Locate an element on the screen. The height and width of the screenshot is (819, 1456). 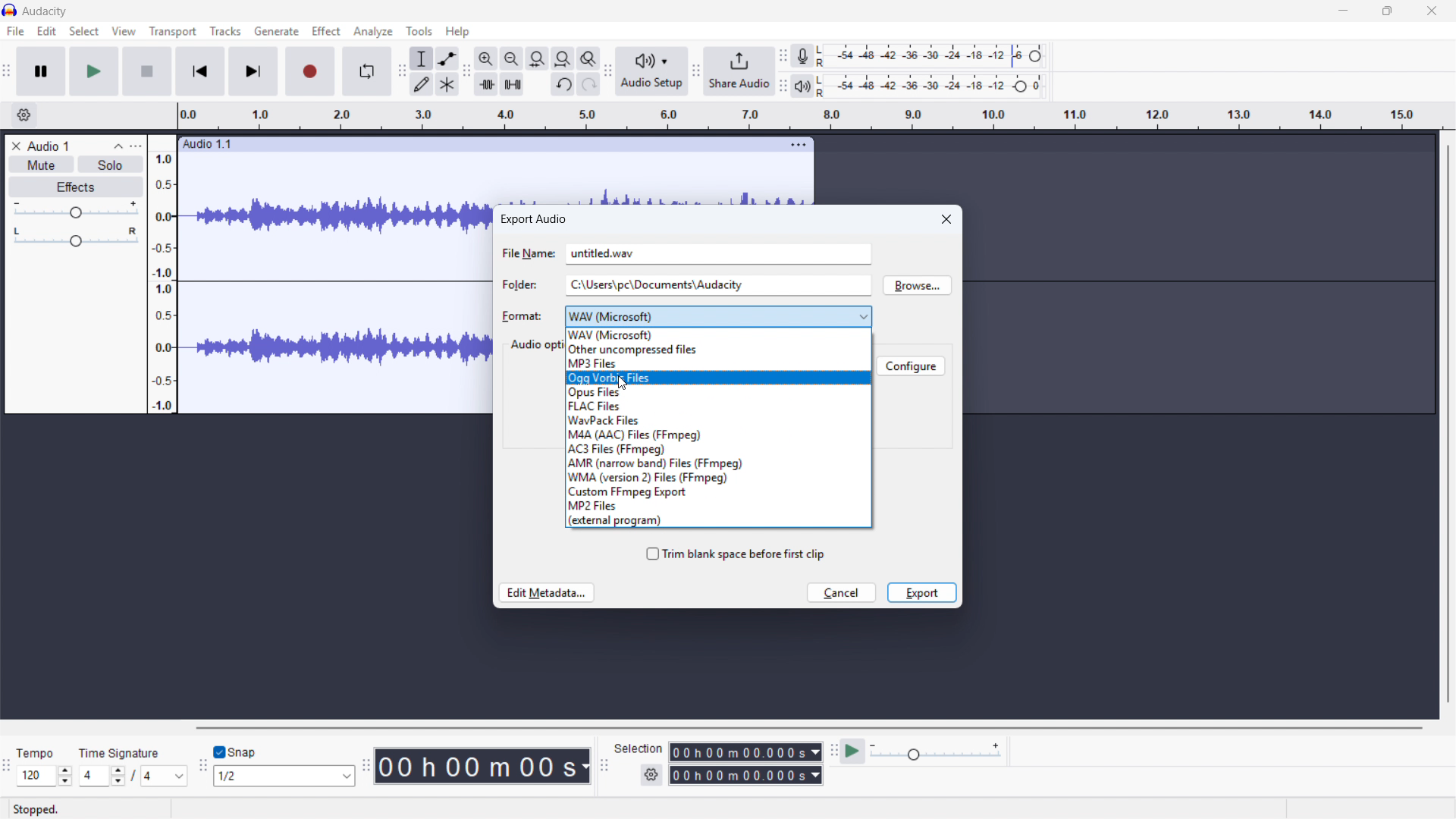
Play at speed toolbar is located at coordinates (833, 752).